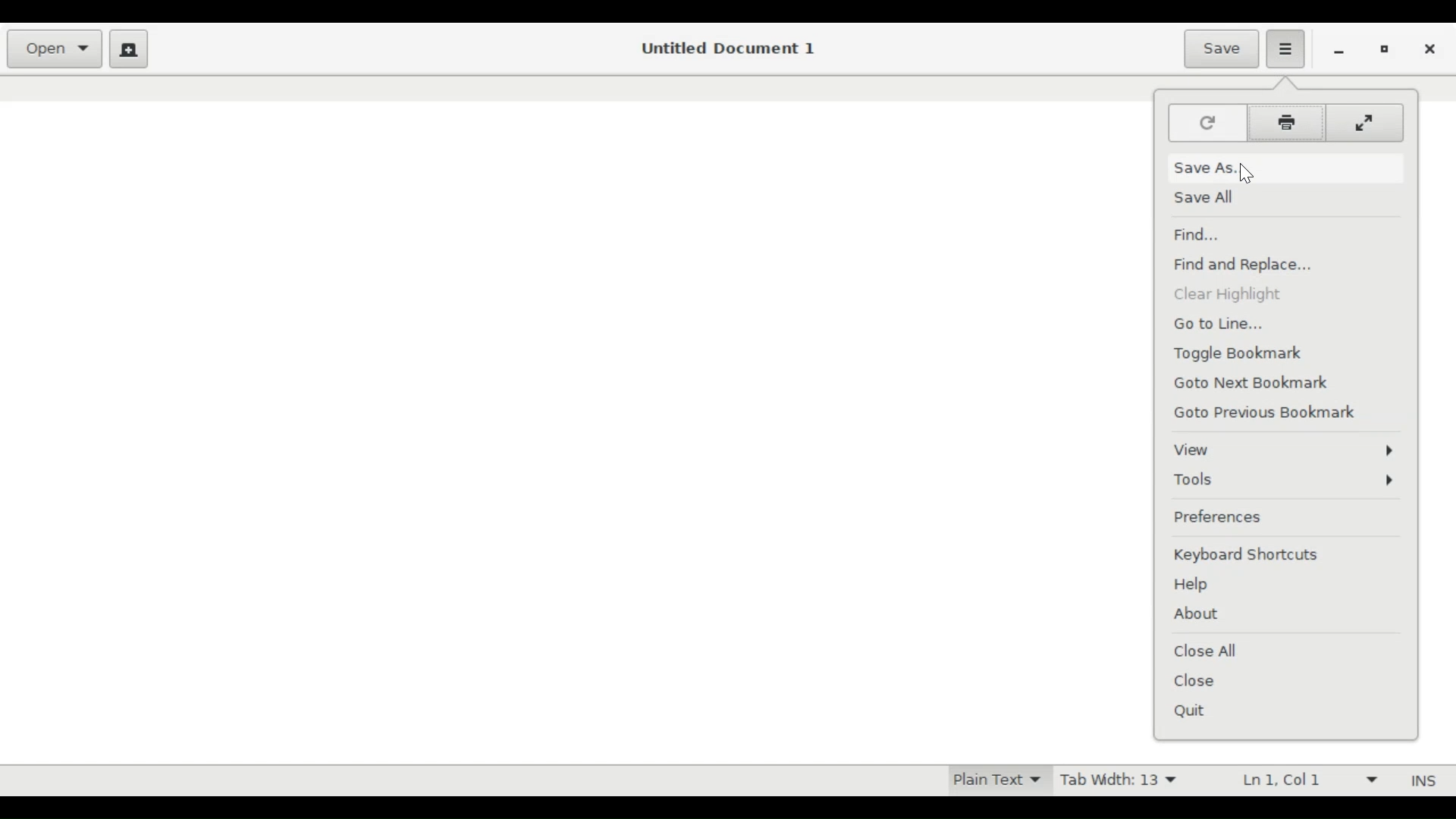 Image resolution: width=1456 pixels, height=819 pixels. I want to click on Help, so click(1195, 584).